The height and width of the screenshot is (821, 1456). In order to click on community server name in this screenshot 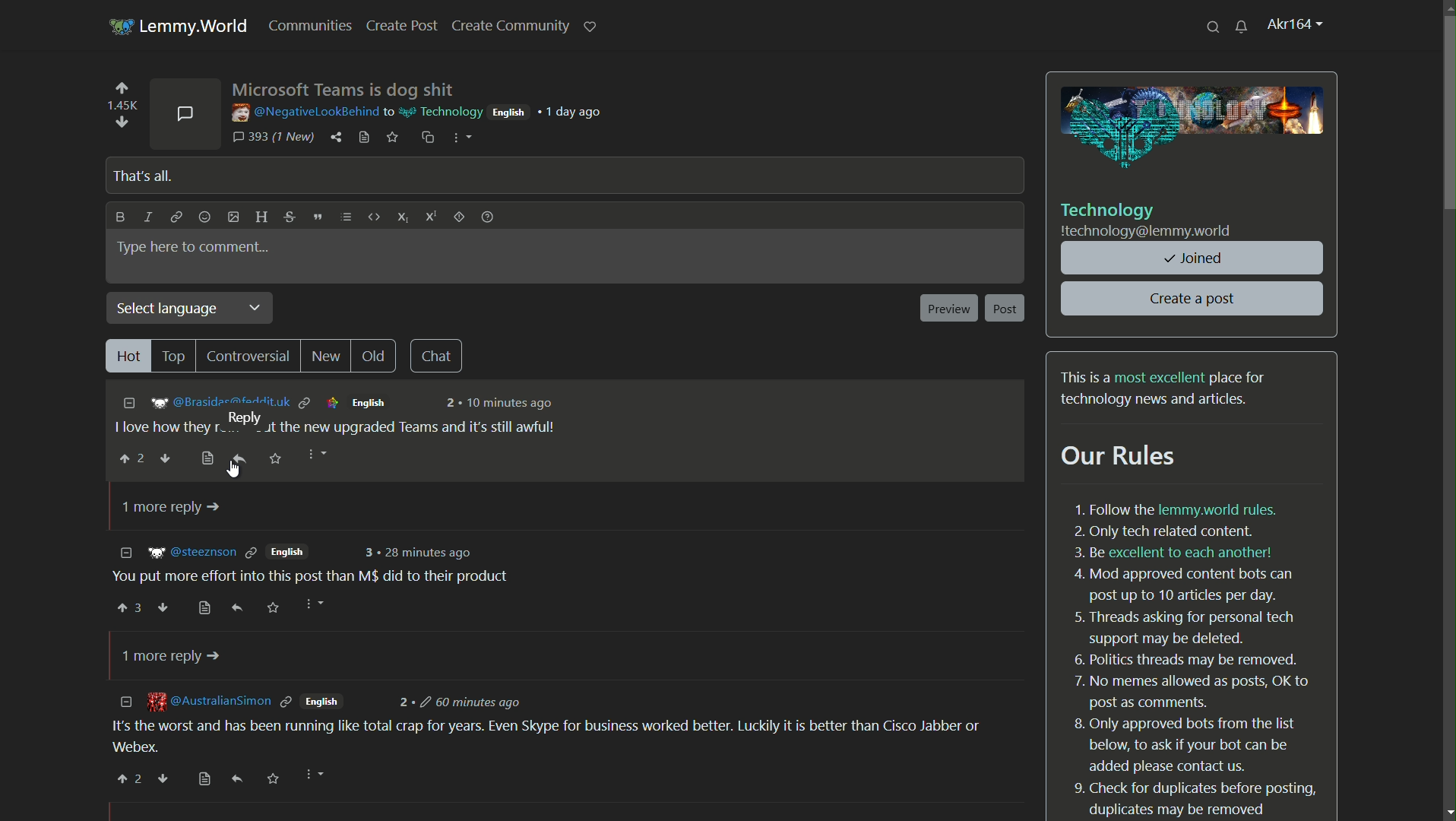, I will do `click(1147, 232)`.